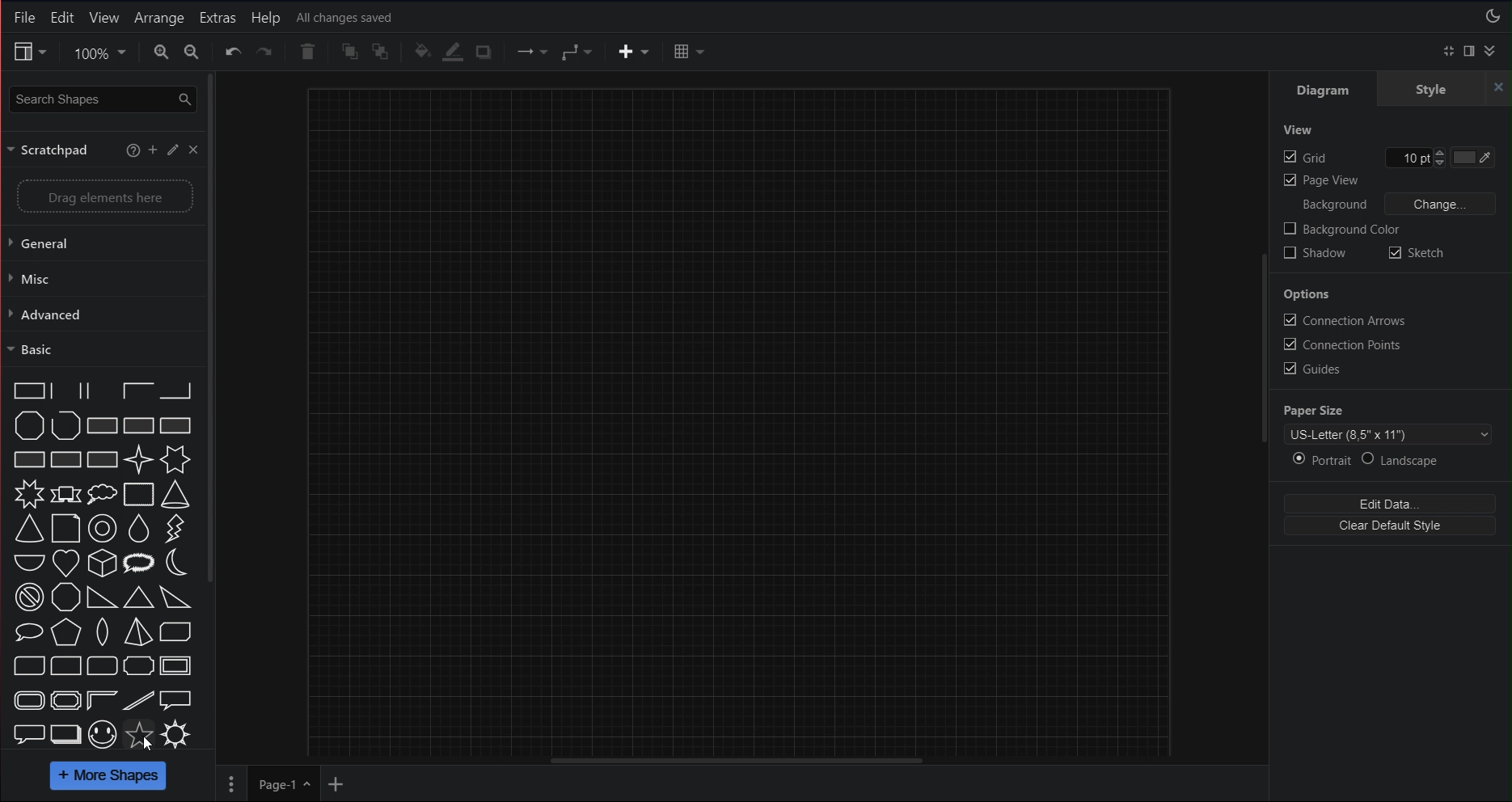 This screenshot has width=1512, height=802. I want to click on Landscape, so click(1402, 459).